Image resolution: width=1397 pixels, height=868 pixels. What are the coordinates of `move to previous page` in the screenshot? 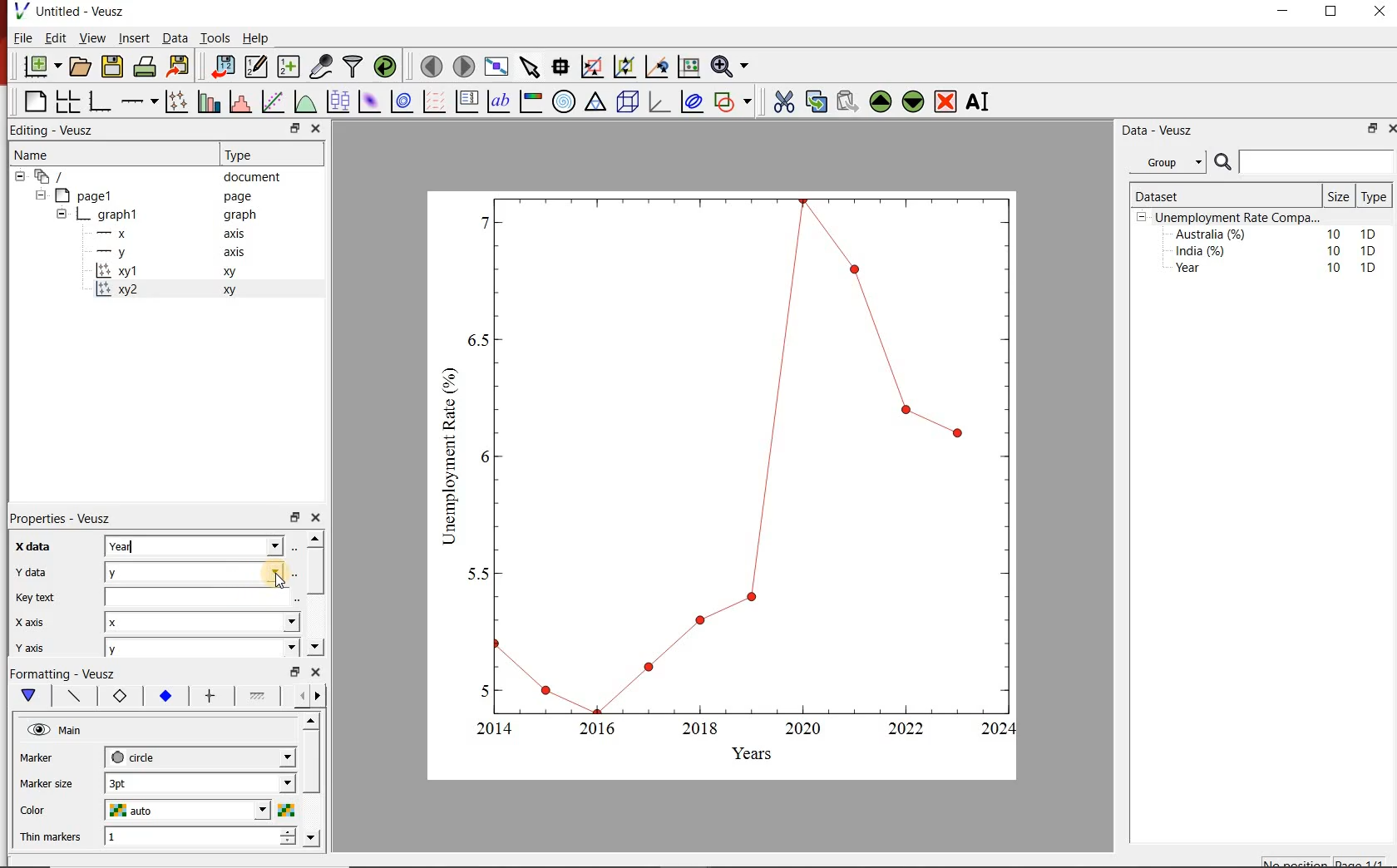 It's located at (432, 65).